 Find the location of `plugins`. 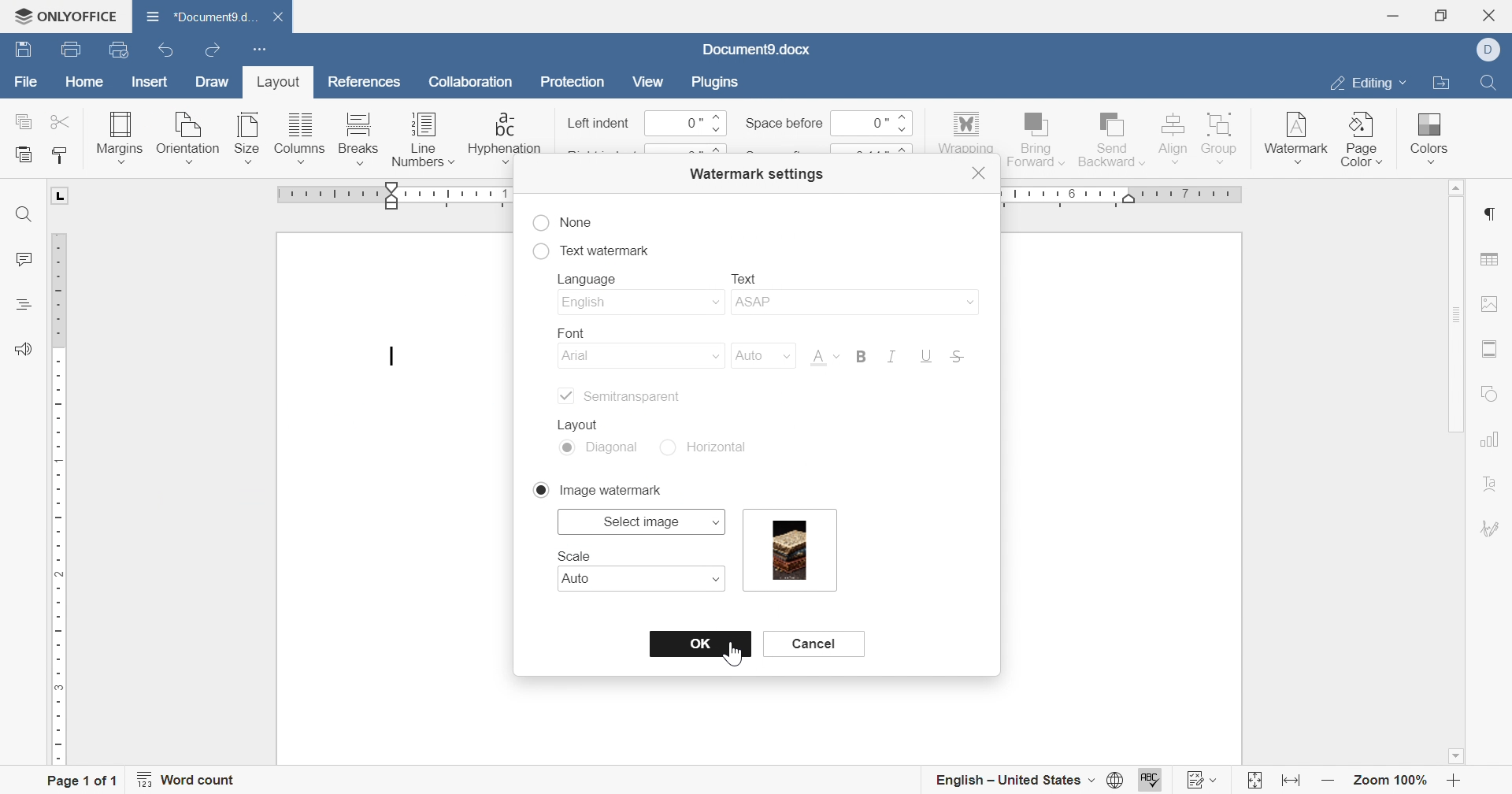

plugins is located at coordinates (712, 80).